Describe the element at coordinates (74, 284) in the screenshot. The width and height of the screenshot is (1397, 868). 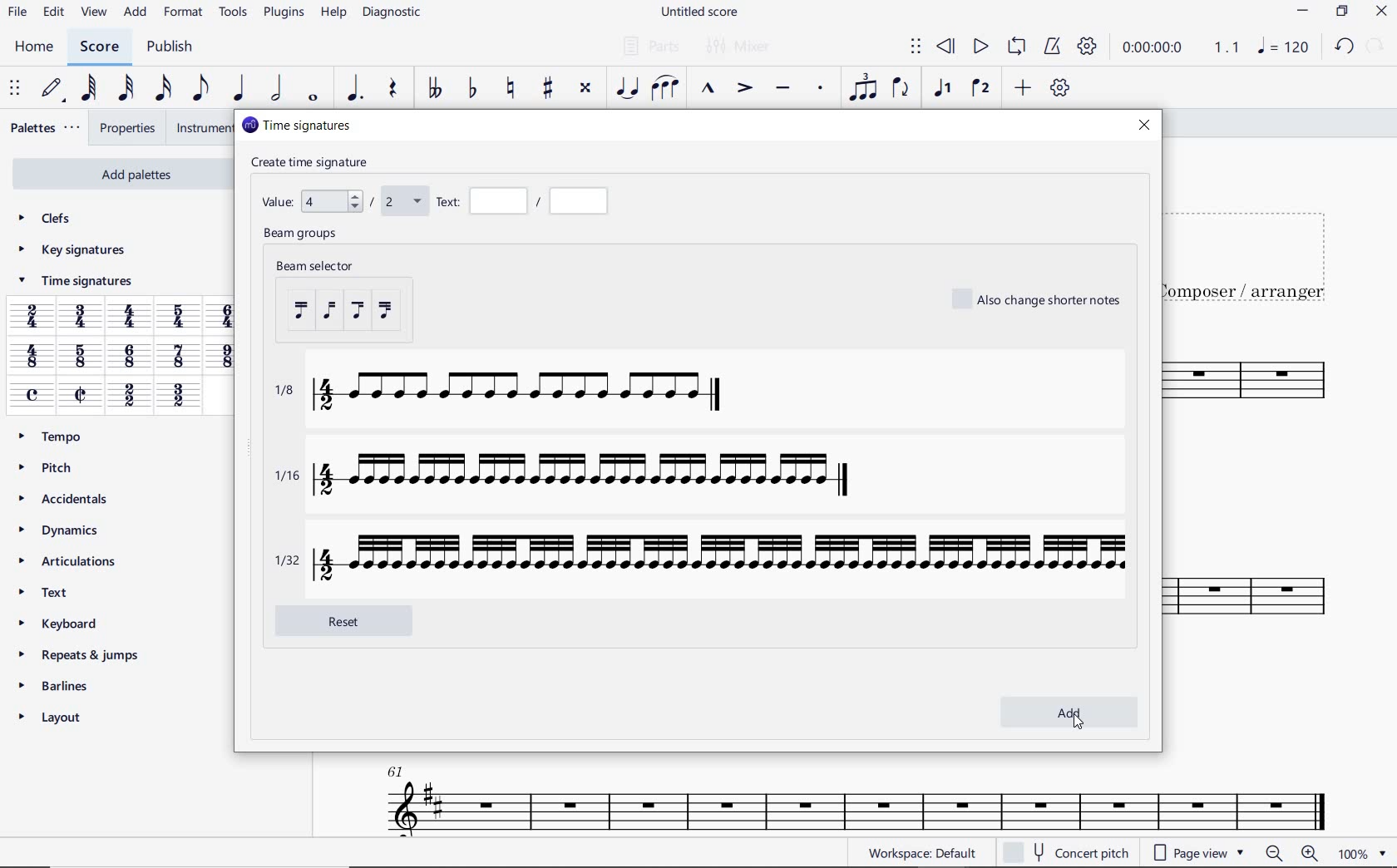
I see `TIME SIGNATURES` at that location.